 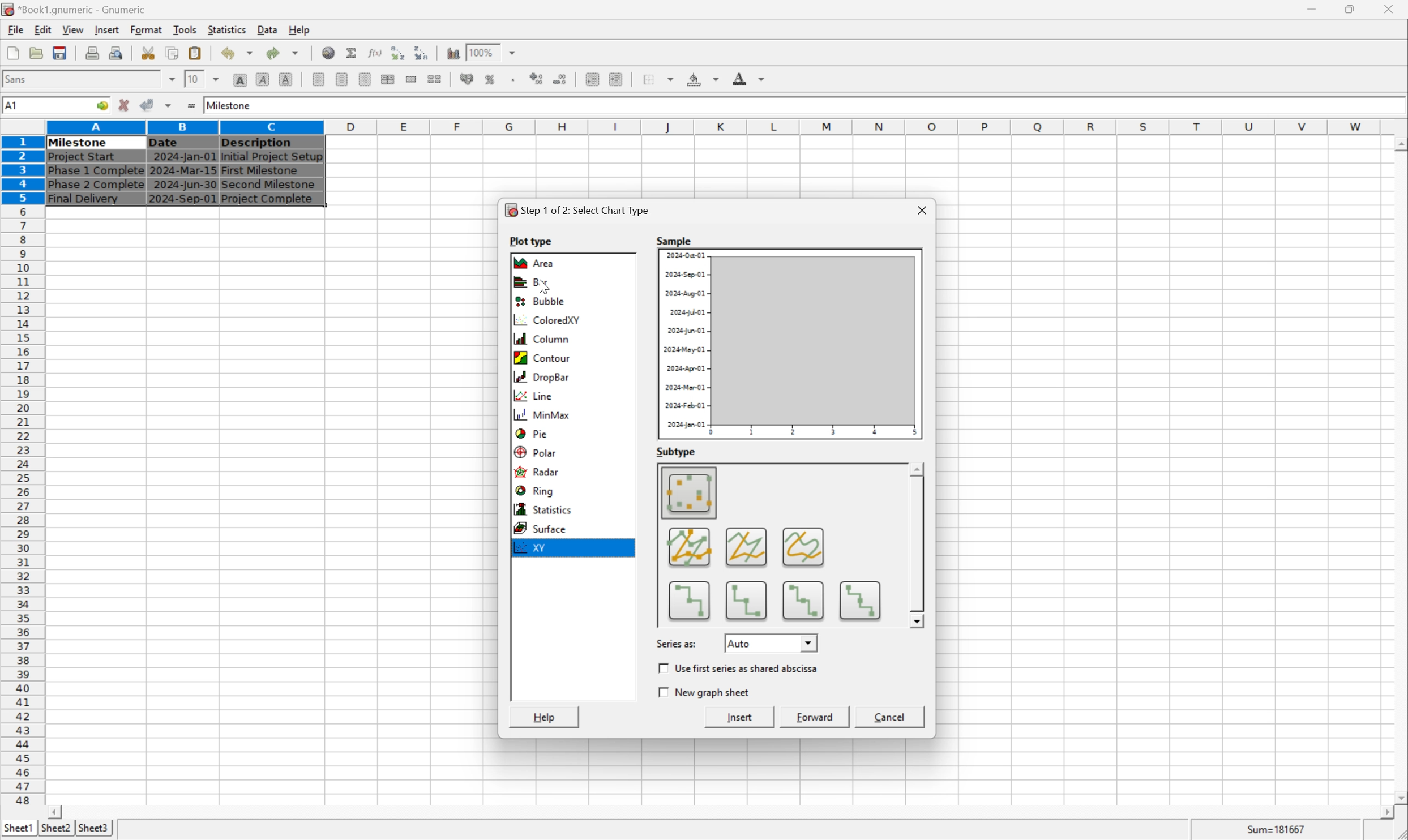 I want to click on center horizontally, so click(x=341, y=80).